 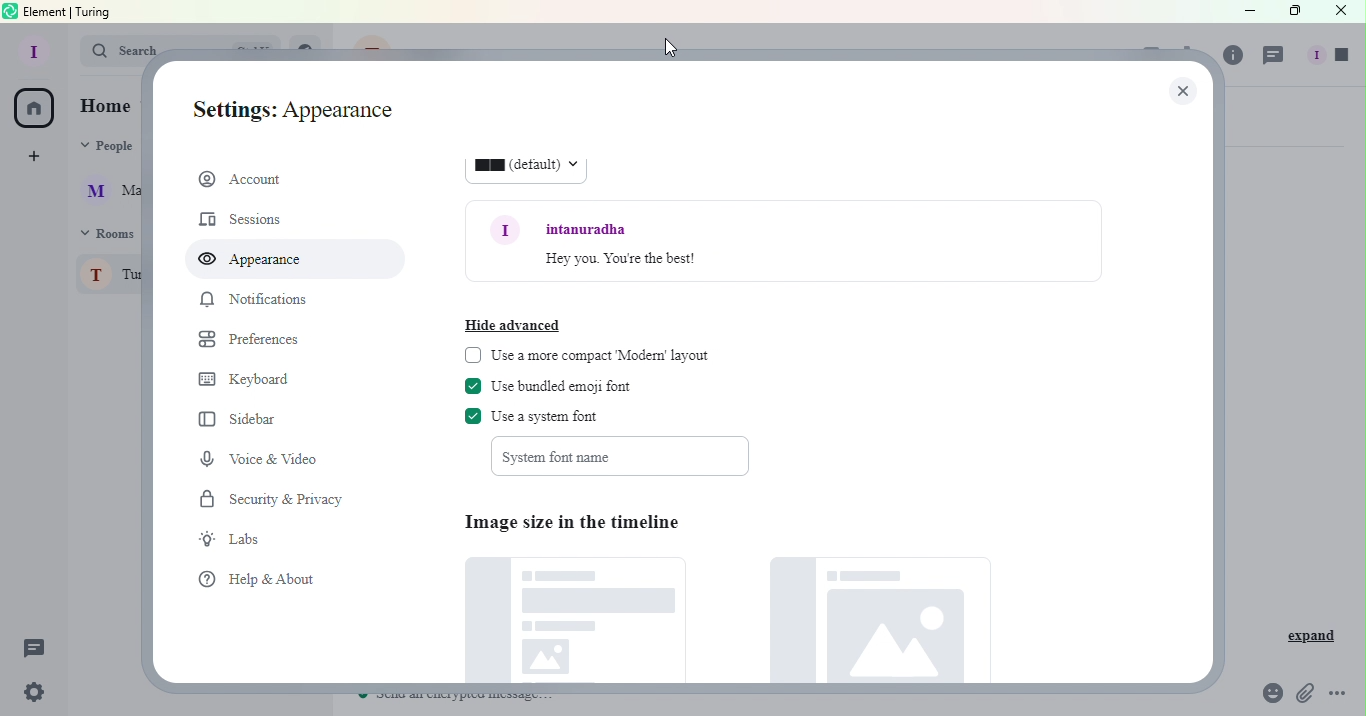 What do you see at coordinates (668, 50) in the screenshot?
I see `Cursor` at bounding box center [668, 50].